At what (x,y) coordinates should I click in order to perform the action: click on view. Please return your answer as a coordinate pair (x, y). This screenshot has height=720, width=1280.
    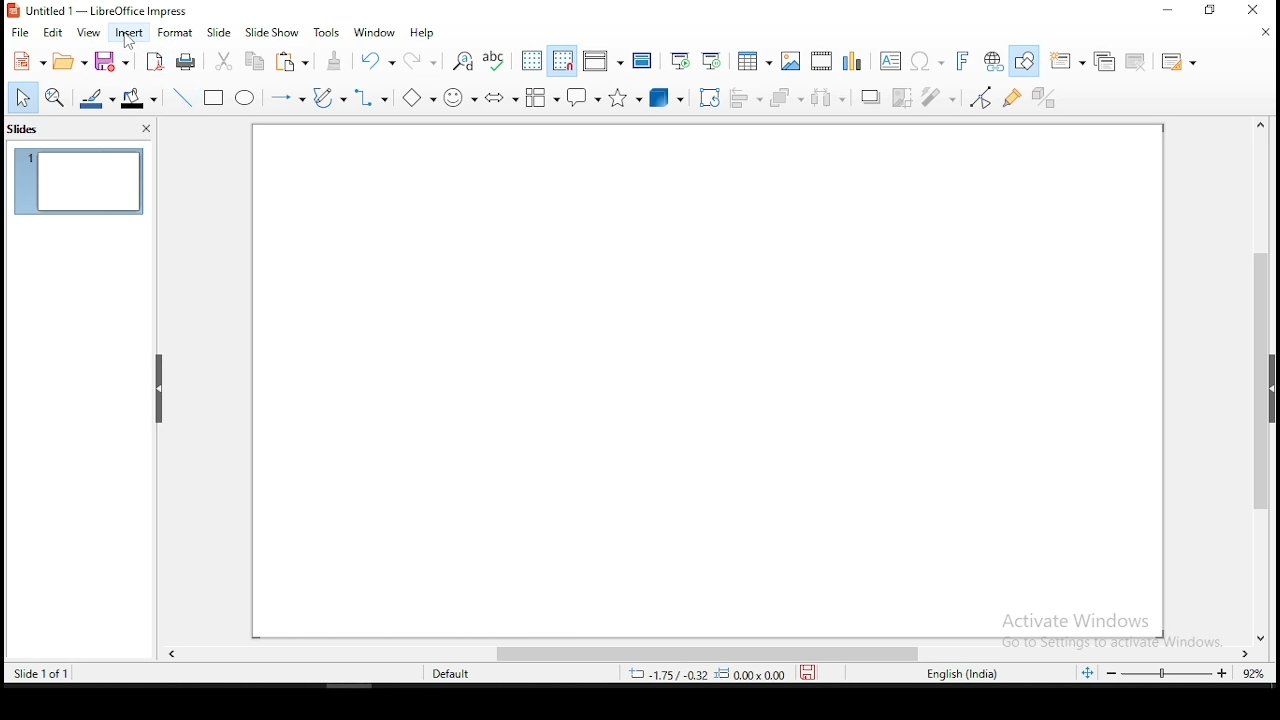
    Looking at the image, I should click on (87, 36).